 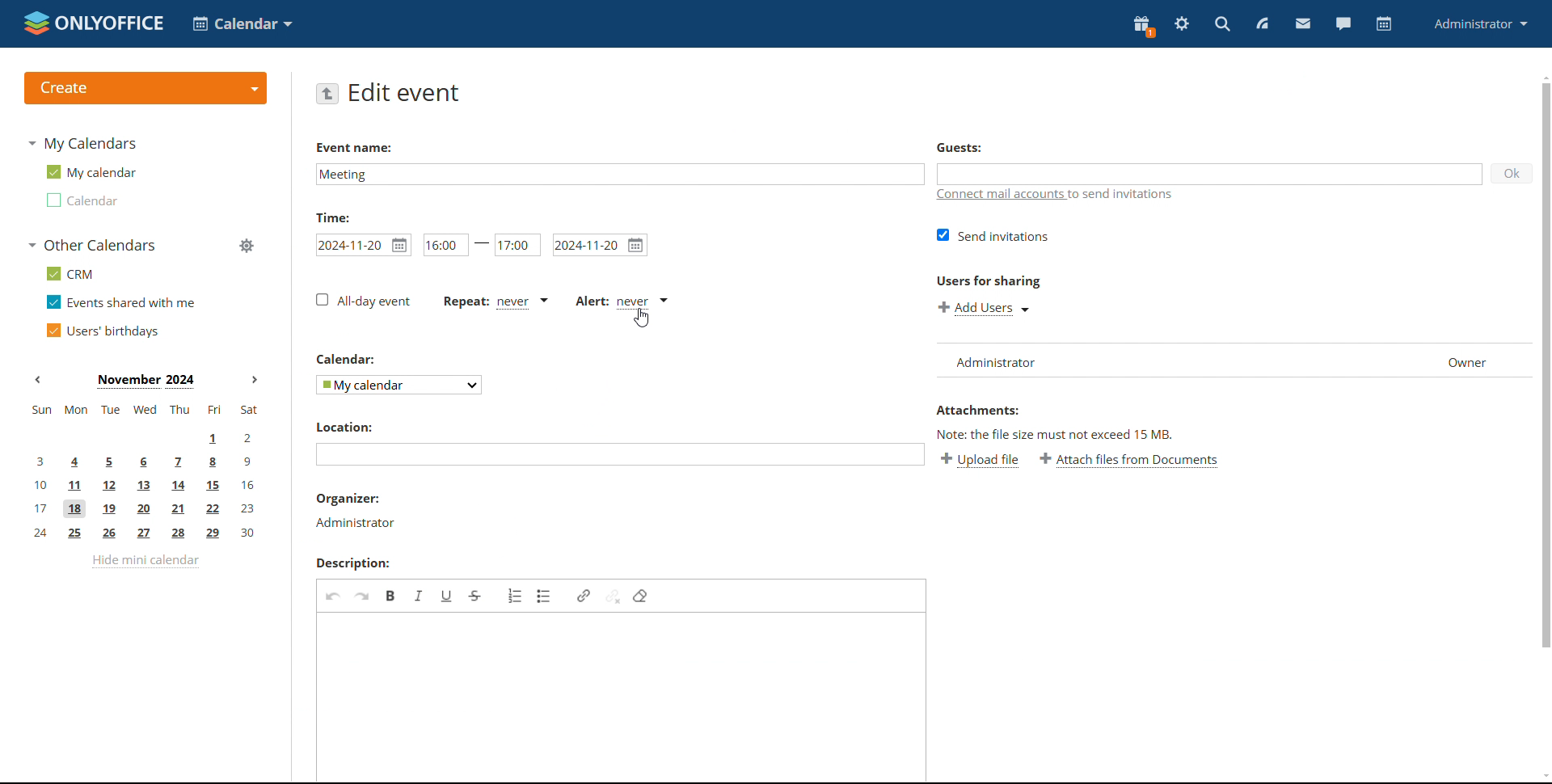 What do you see at coordinates (1221, 24) in the screenshot?
I see `search` at bounding box center [1221, 24].